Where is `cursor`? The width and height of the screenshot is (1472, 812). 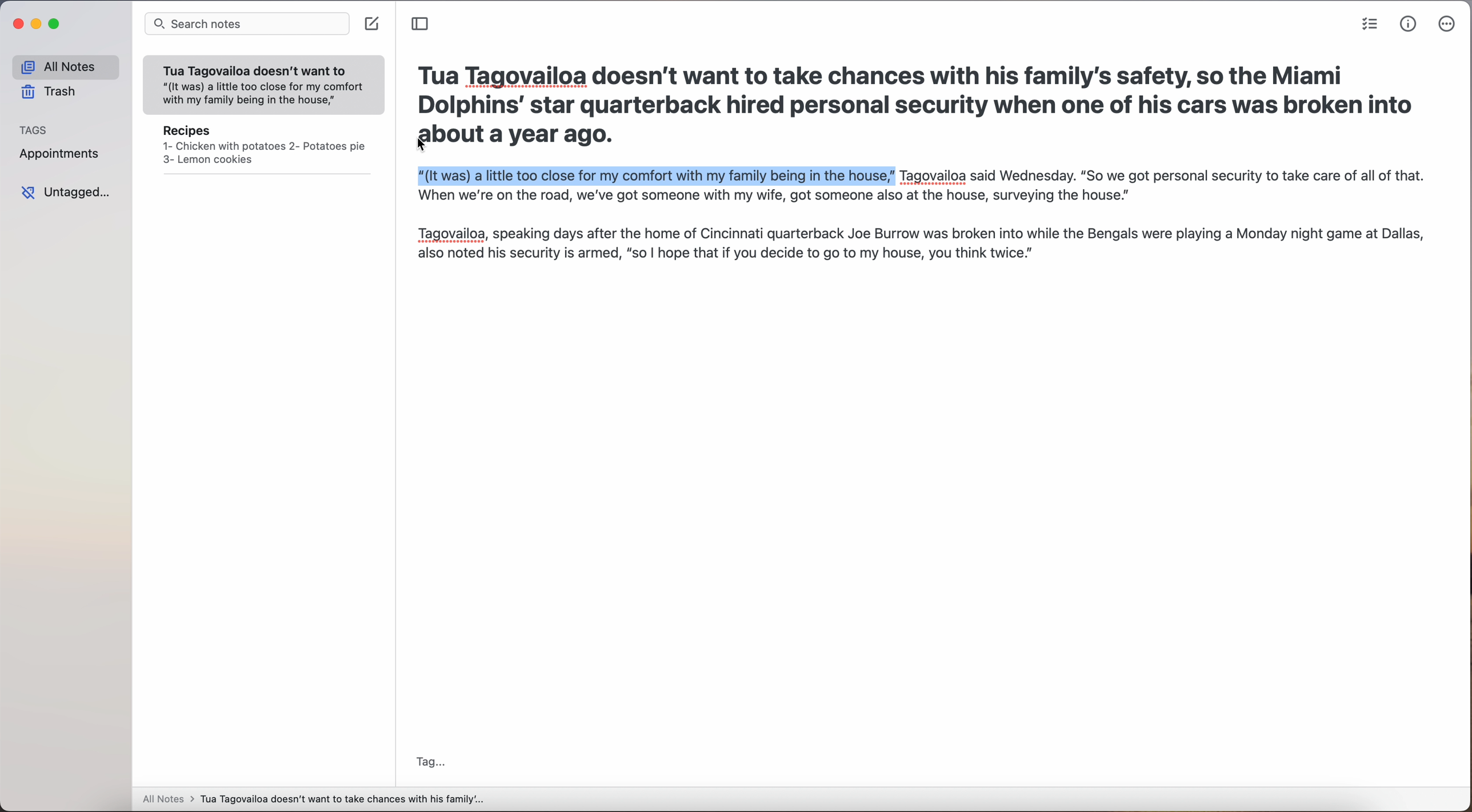
cursor is located at coordinates (423, 145).